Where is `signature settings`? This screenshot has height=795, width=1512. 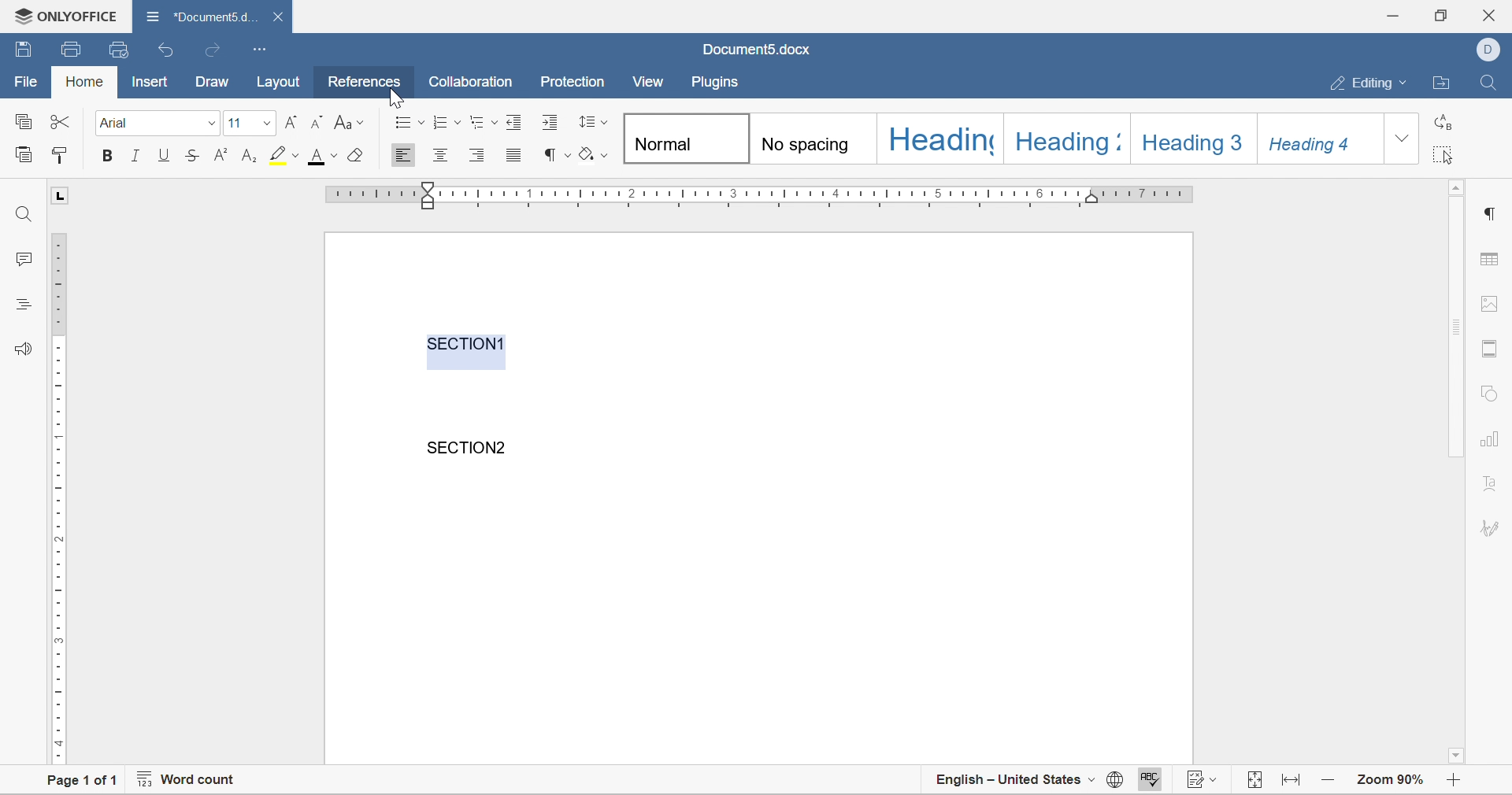 signature settings is located at coordinates (1493, 527).